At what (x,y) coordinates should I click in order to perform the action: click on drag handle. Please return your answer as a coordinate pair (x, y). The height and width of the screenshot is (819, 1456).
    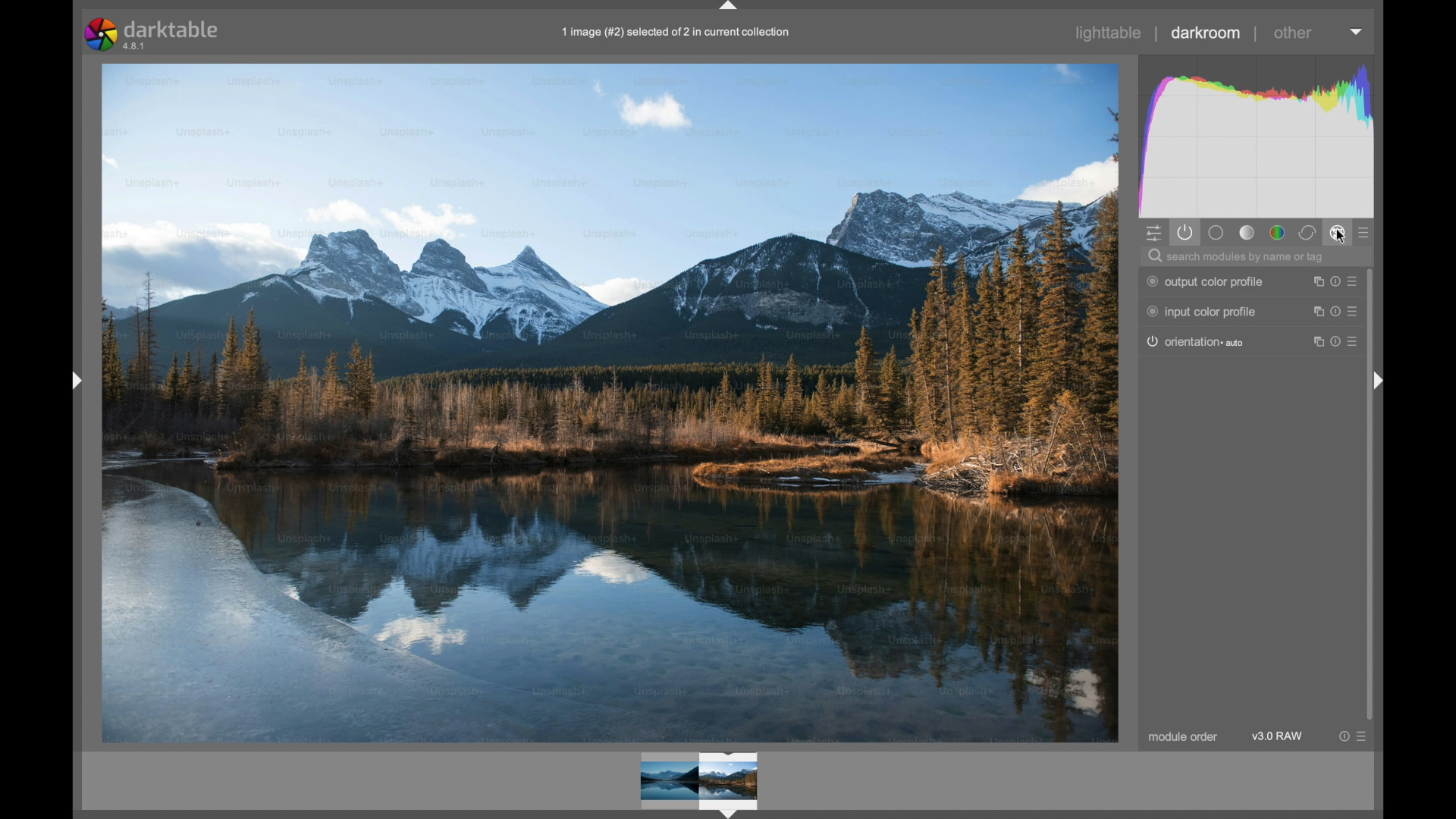
    Looking at the image, I should click on (76, 381).